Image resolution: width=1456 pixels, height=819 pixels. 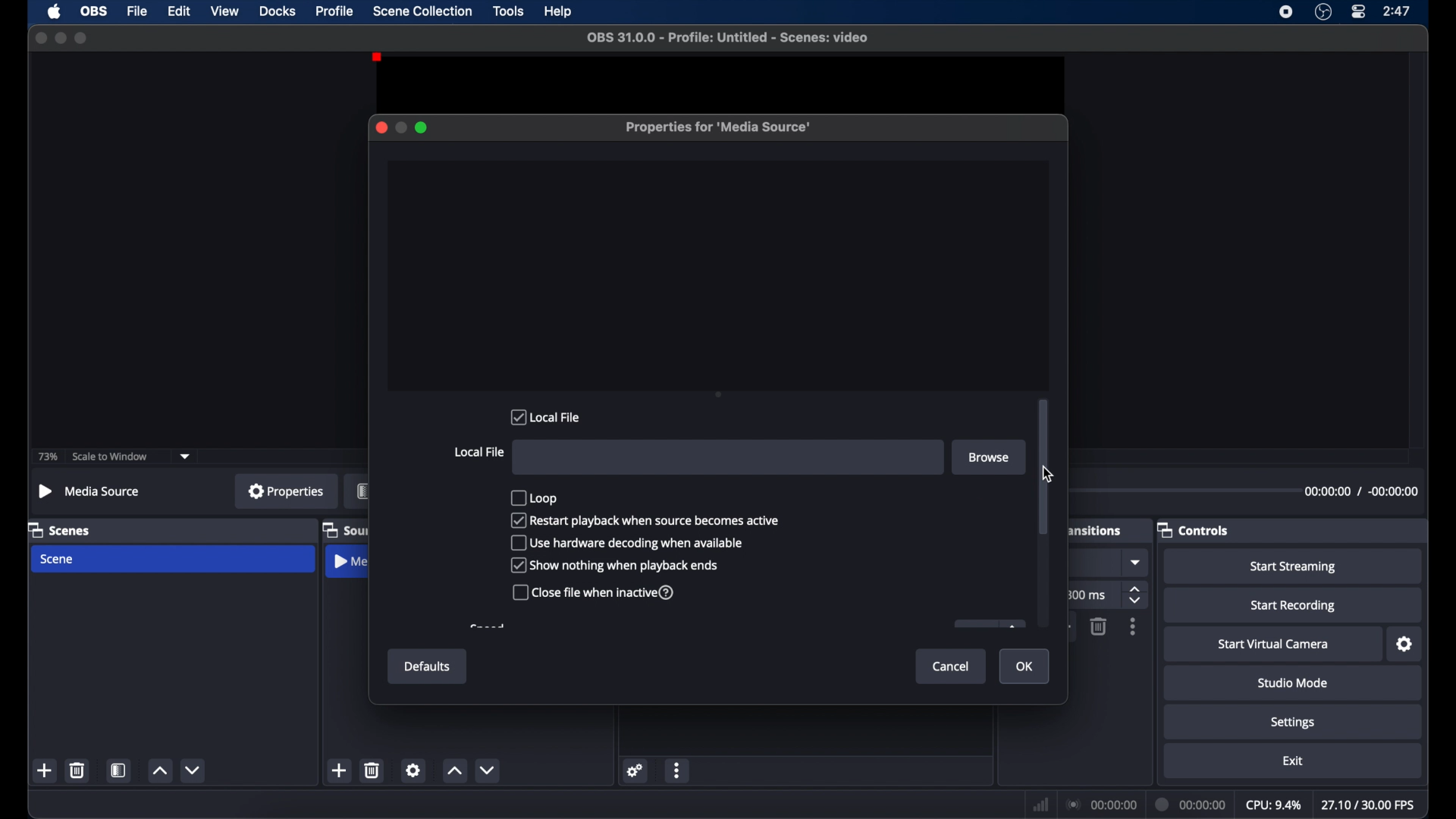 I want to click on start virtual camera, so click(x=1274, y=645).